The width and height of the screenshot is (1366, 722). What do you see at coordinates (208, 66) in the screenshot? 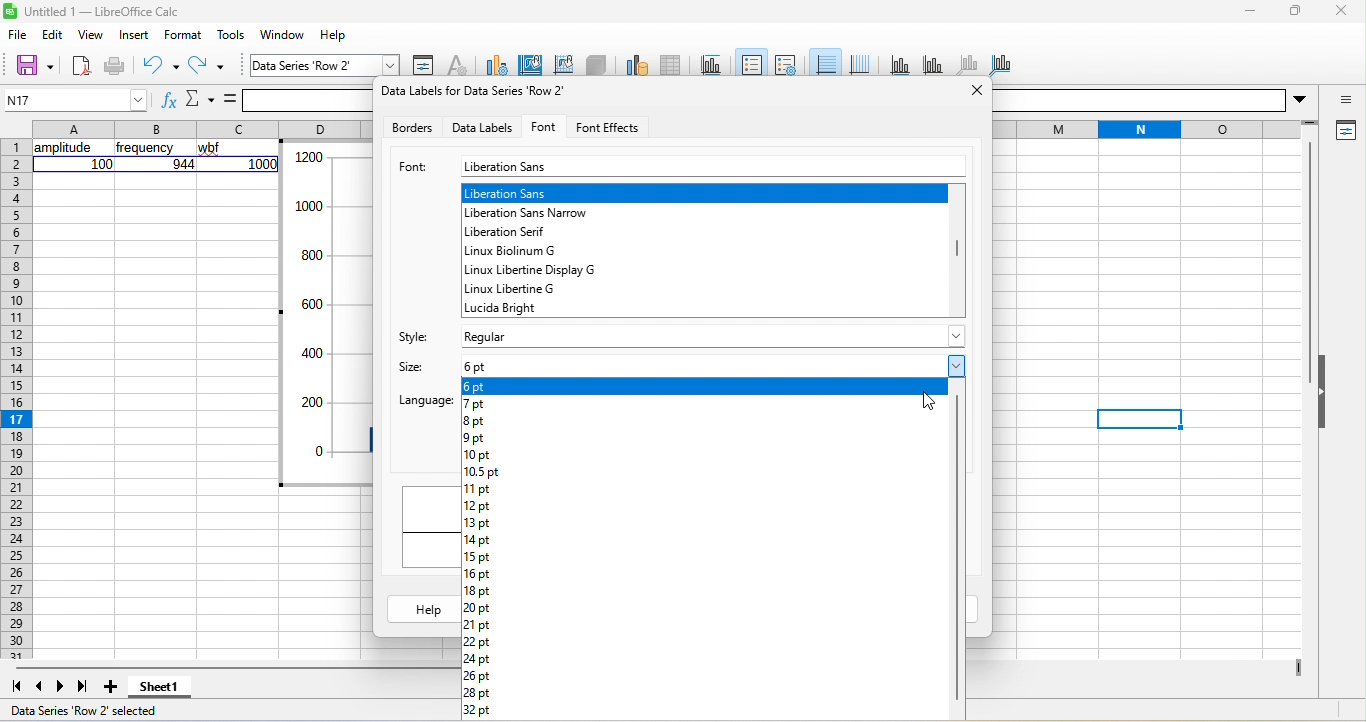
I see `redo` at bounding box center [208, 66].